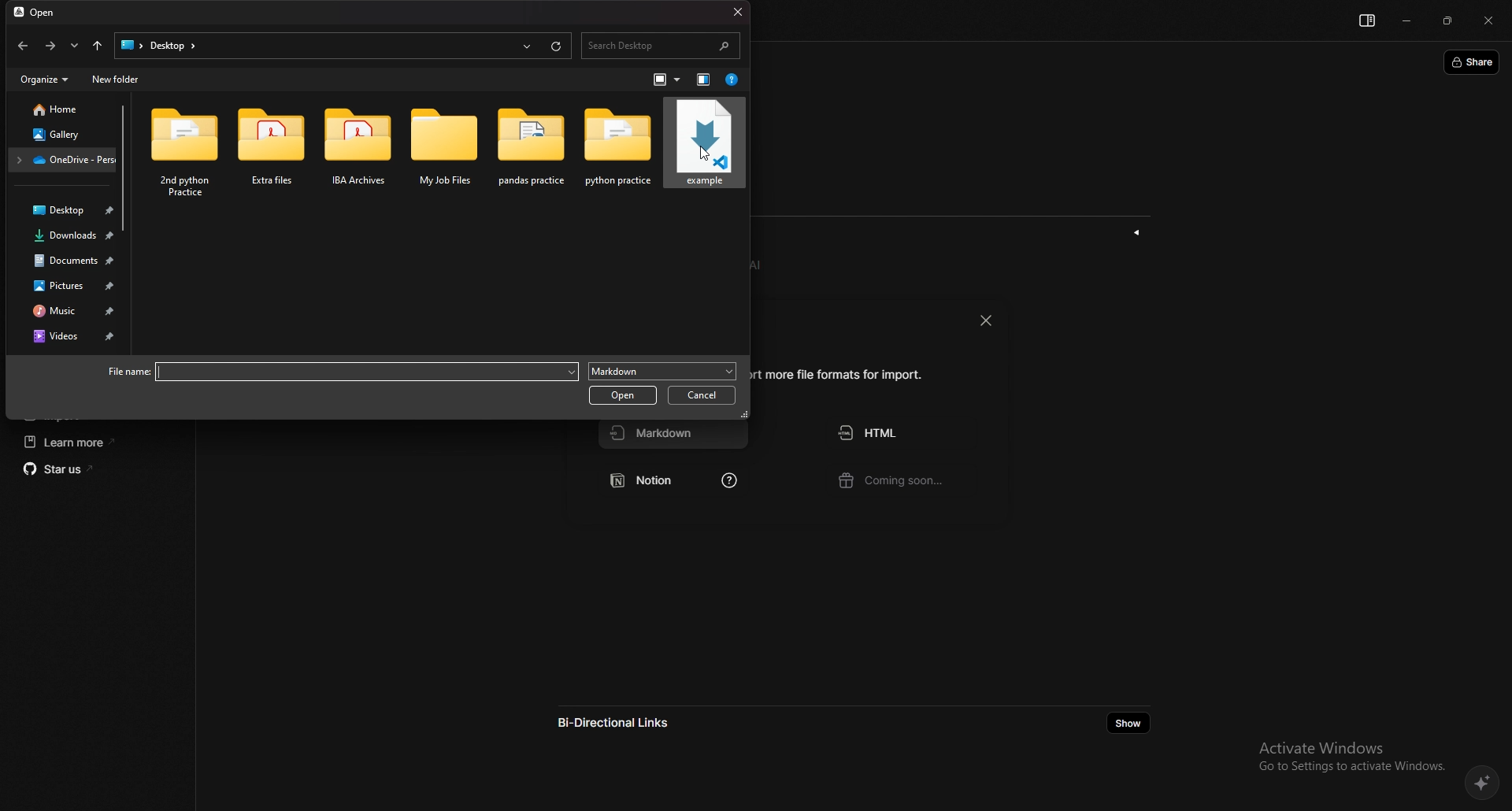 The image size is (1512, 811). Describe the element at coordinates (168, 46) in the screenshot. I see `search>Desktoop>` at that location.